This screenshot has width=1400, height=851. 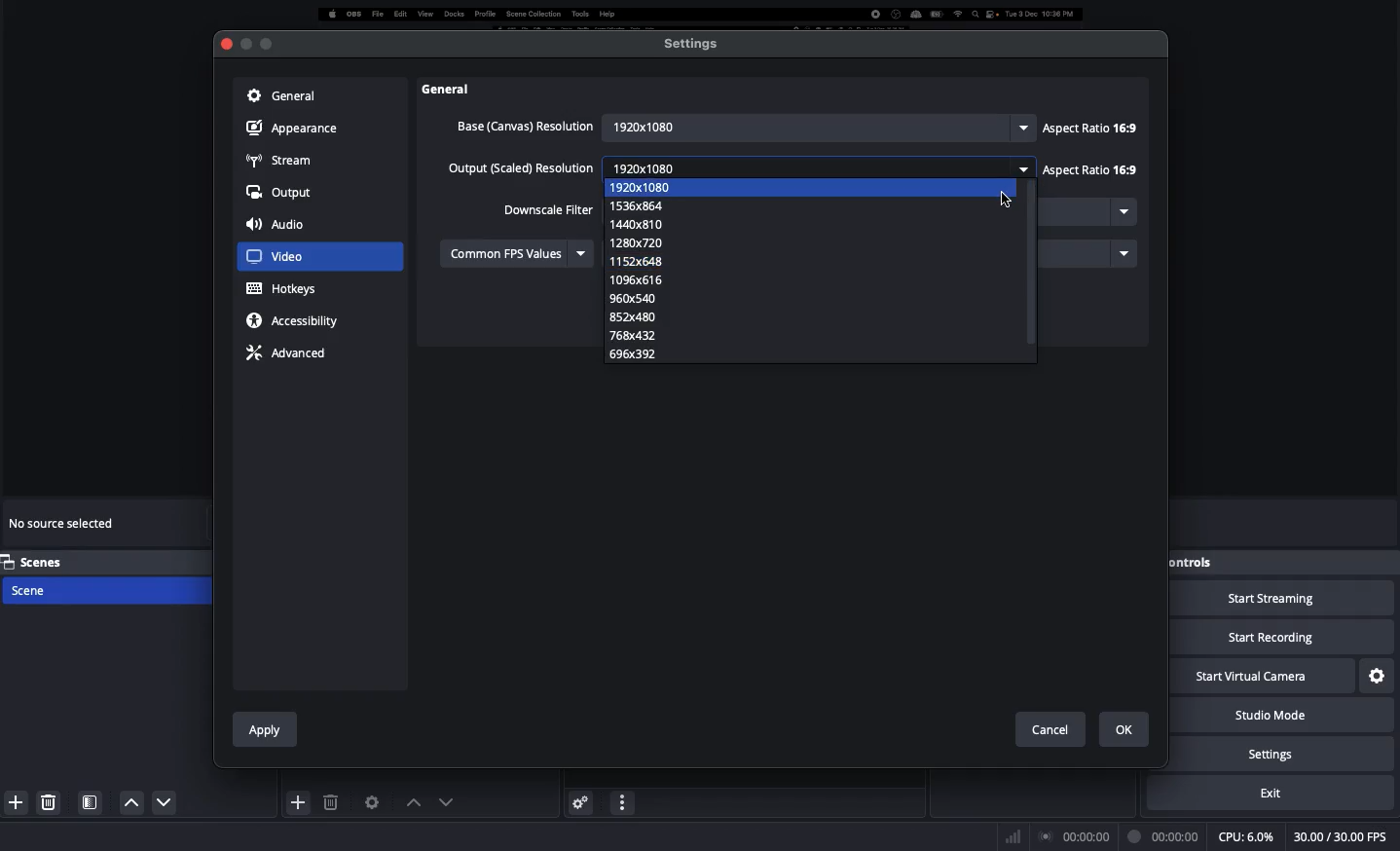 I want to click on Output resolution , so click(x=523, y=170).